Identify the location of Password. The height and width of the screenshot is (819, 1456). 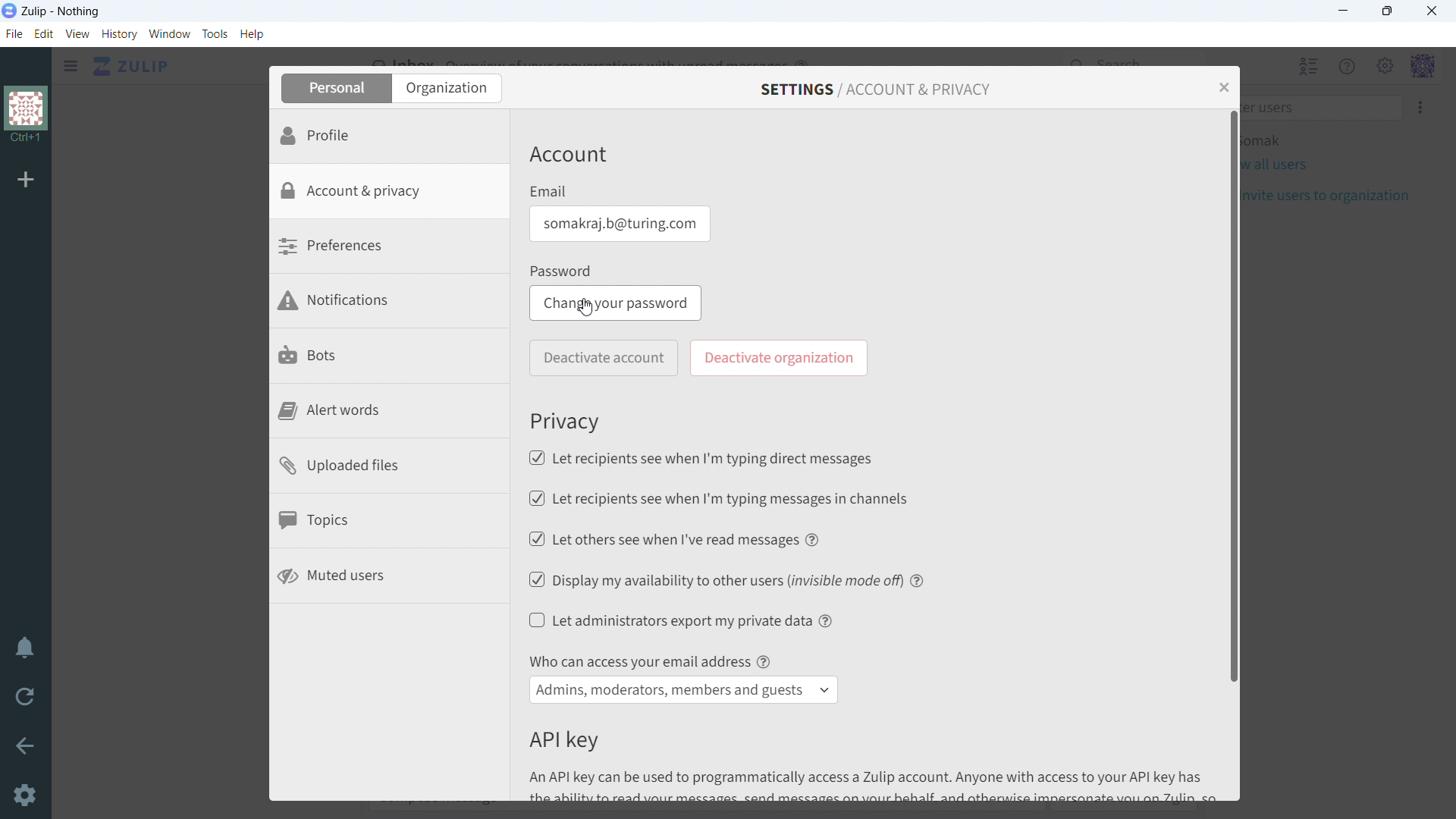
(563, 271).